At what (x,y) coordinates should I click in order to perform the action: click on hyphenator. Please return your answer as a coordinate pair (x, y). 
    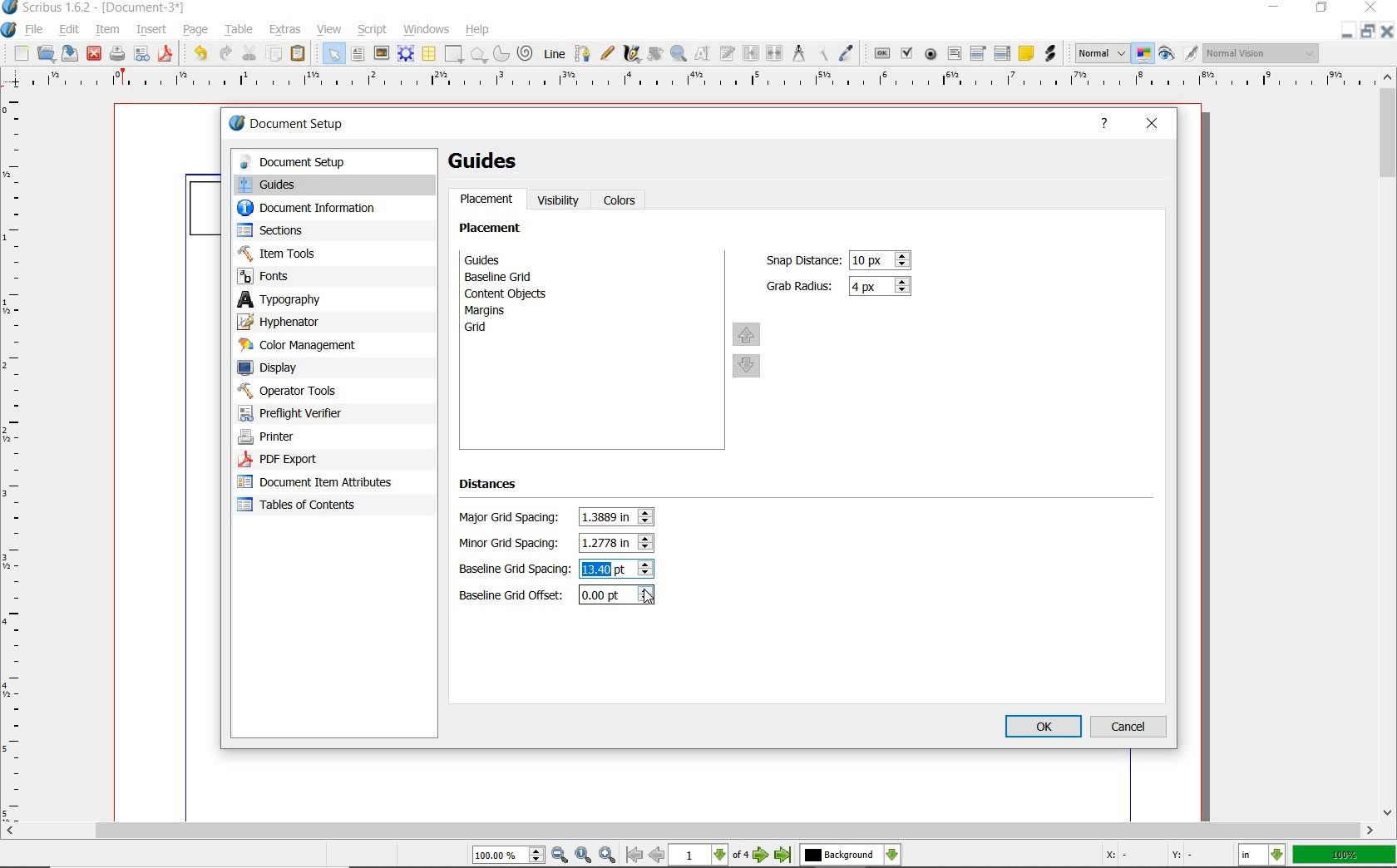
    Looking at the image, I should click on (324, 323).